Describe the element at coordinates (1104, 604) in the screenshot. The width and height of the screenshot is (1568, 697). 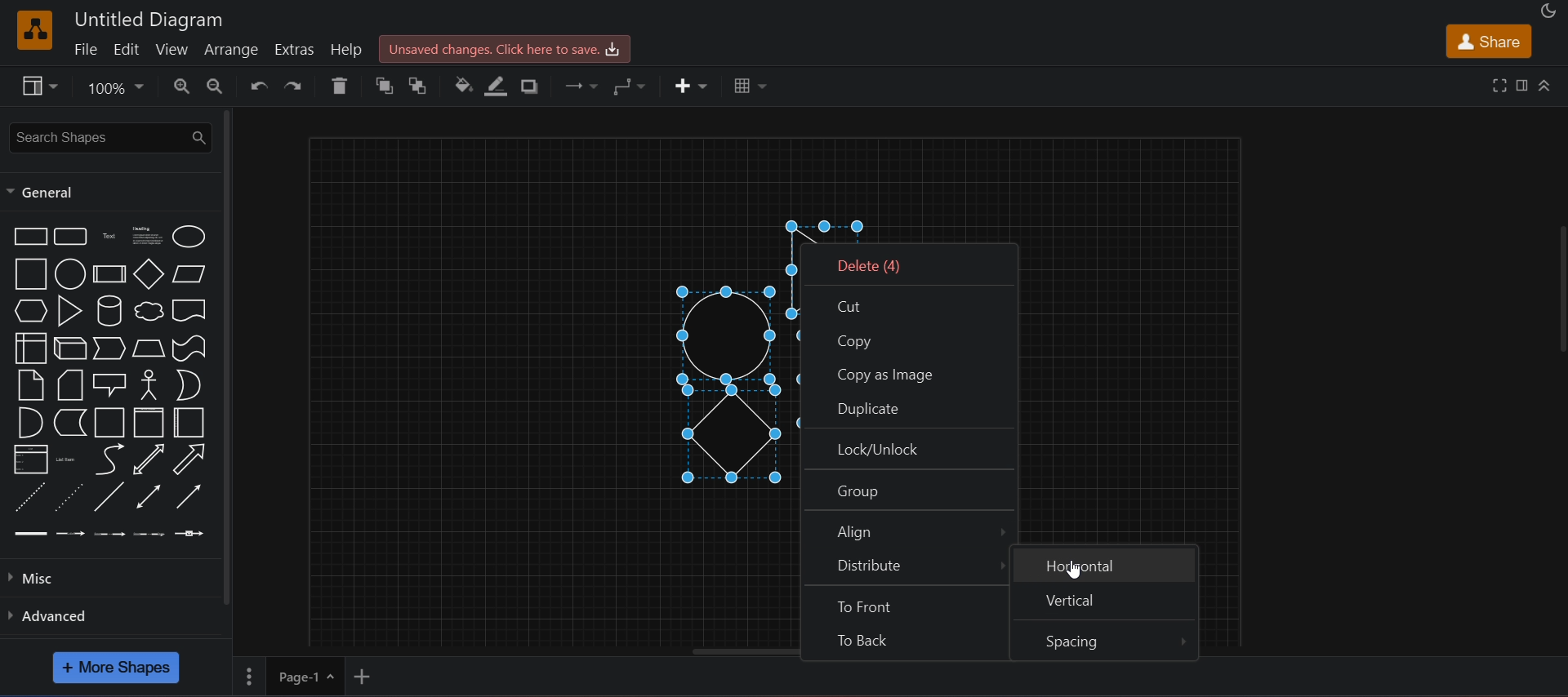
I see `vertical` at that location.